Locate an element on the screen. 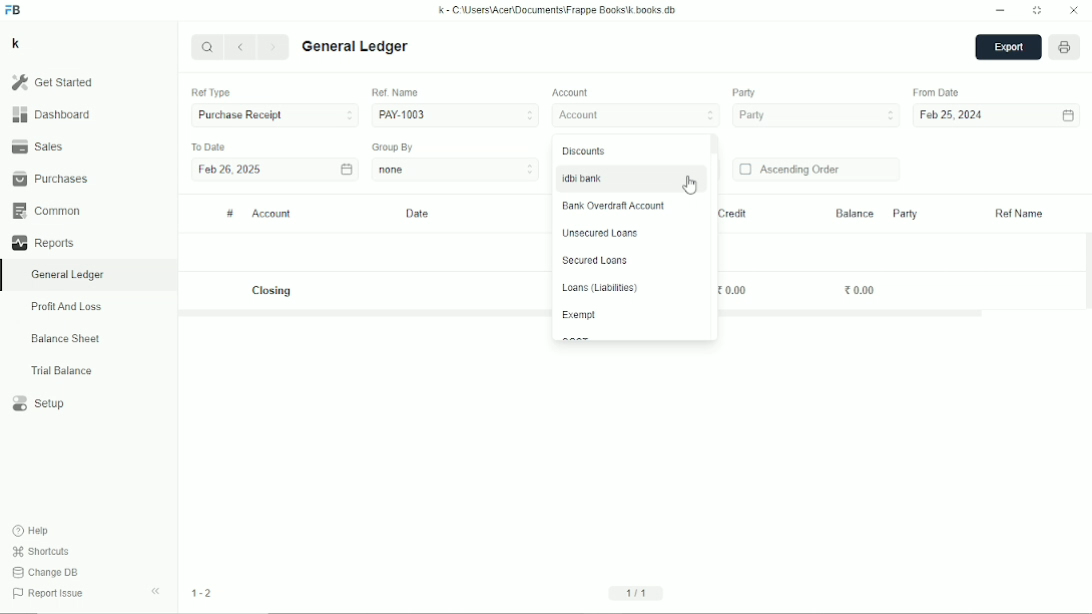 This screenshot has width=1092, height=614. Purchase receipt is located at coordinates (274, 116).